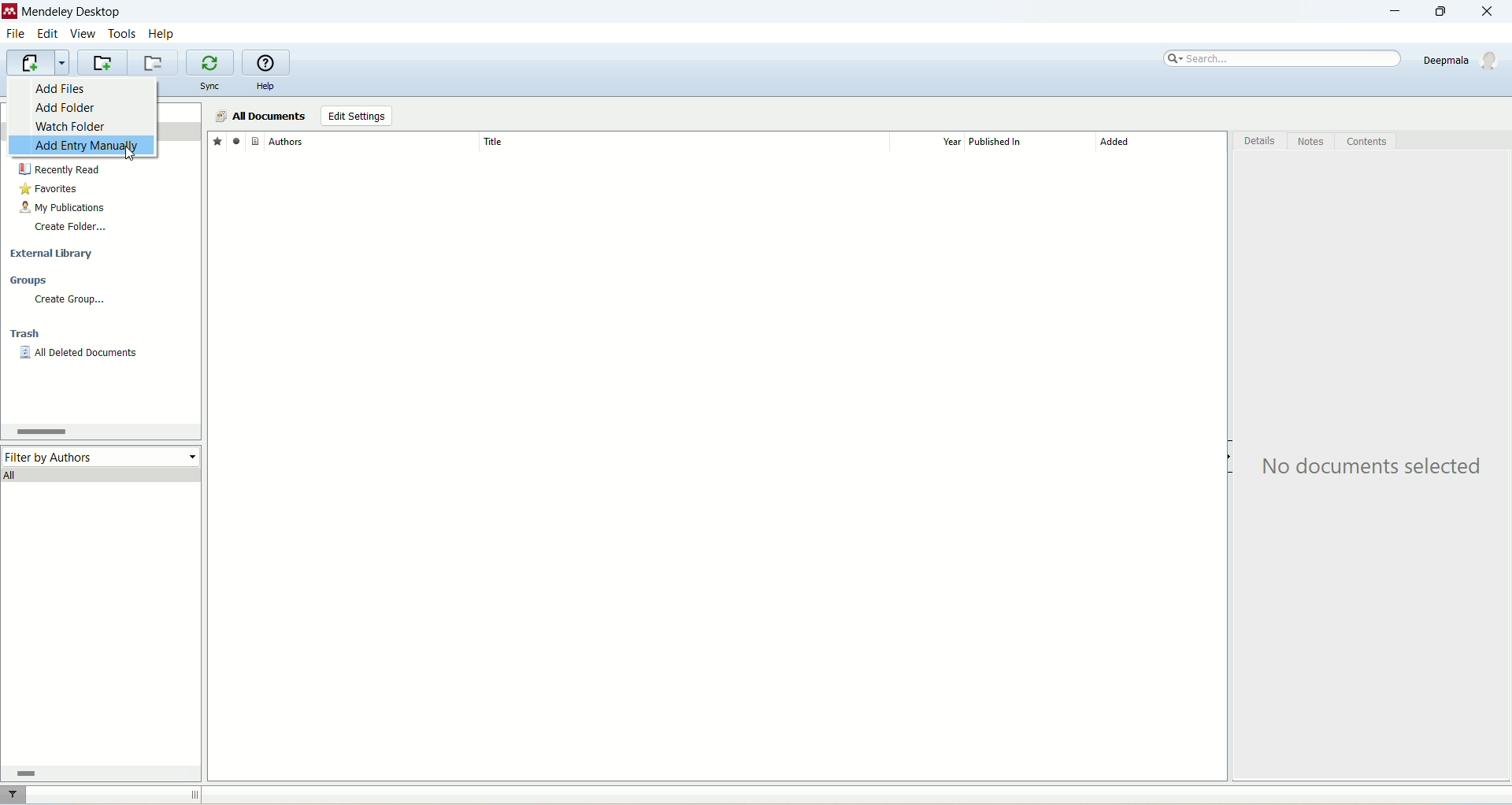 The width and height of the screenshot is (1512, 805). I want to click on create folder, so click(70, 226).